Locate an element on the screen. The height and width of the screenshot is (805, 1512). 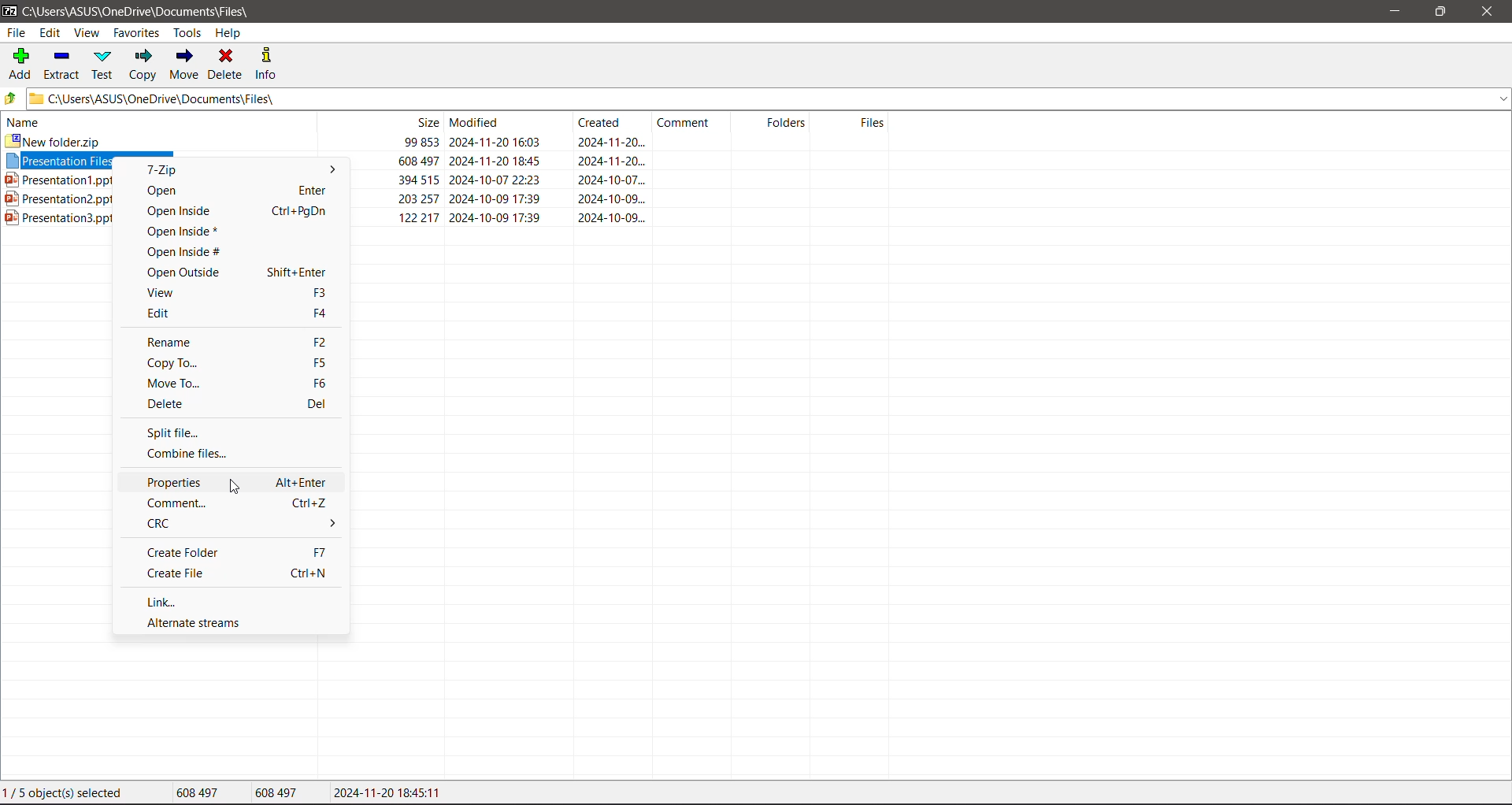
Tools is located at coordinates (189, 32).